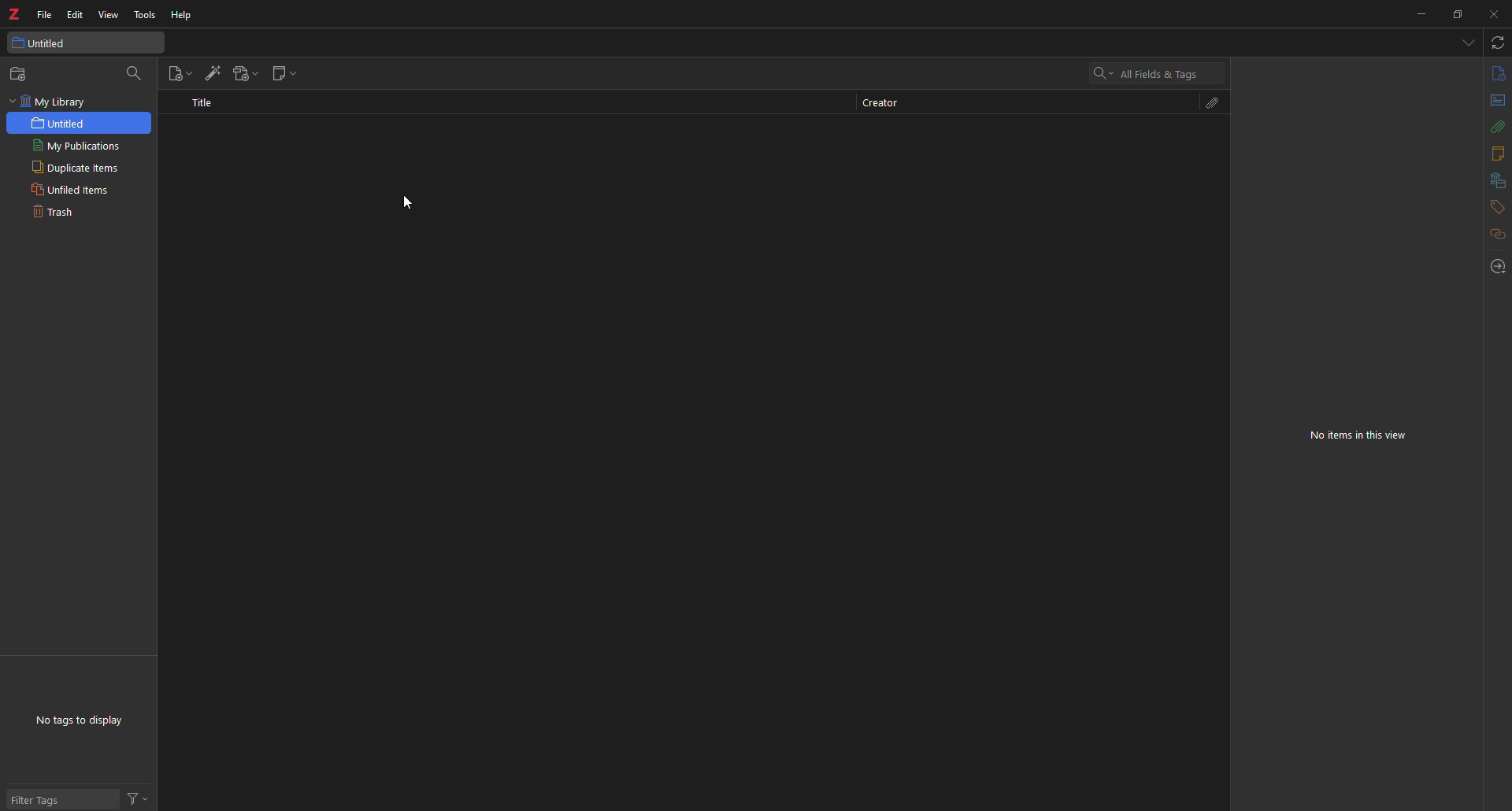  Describe the element at coordinates (885, 102) in the screenshot. I see `creator` at that location.